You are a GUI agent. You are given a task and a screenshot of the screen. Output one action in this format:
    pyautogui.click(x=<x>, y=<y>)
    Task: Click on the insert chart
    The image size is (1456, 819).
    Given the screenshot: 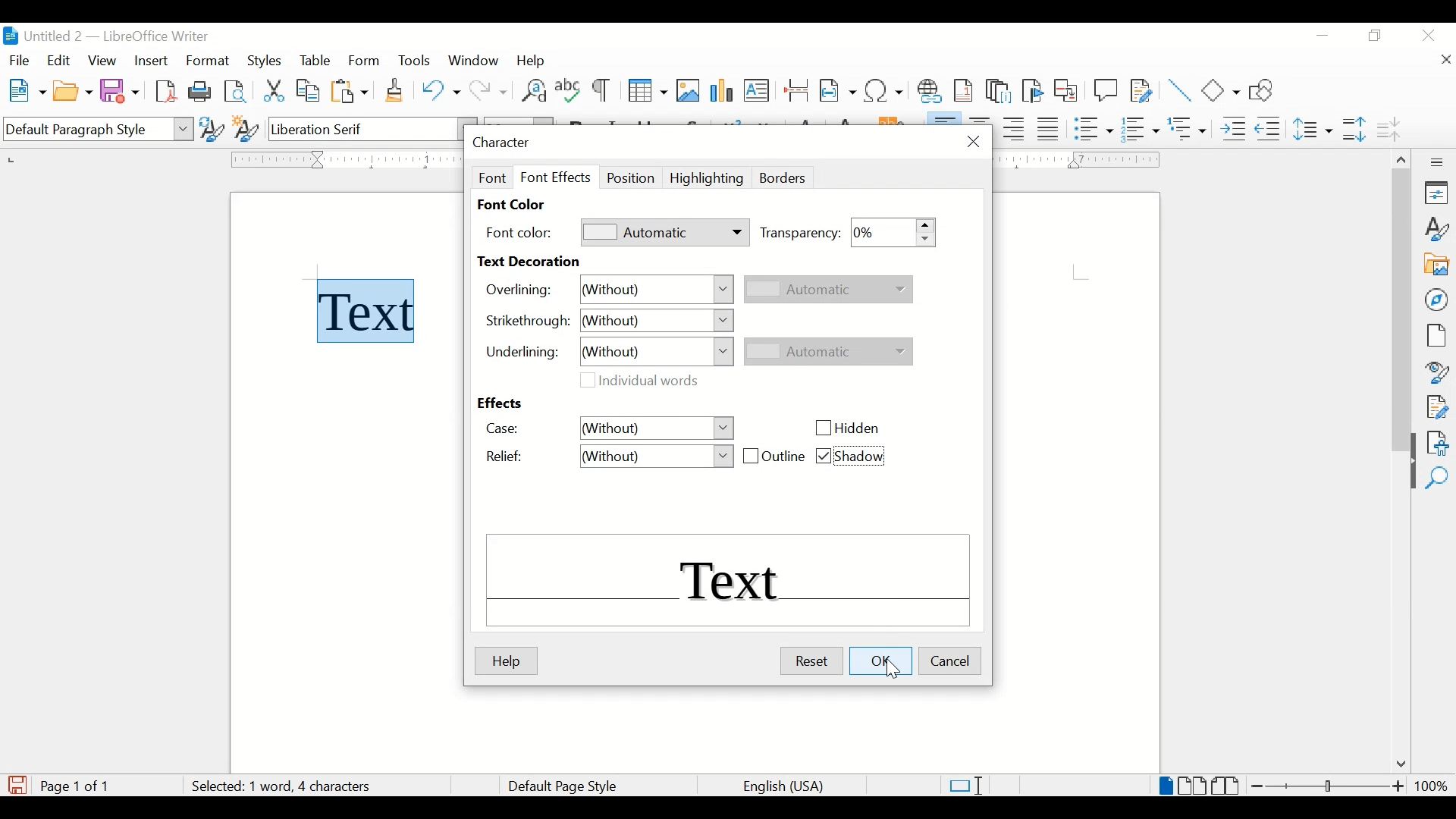 What is the action you would take?
    pyautogui.click(x=723, y=92)
    